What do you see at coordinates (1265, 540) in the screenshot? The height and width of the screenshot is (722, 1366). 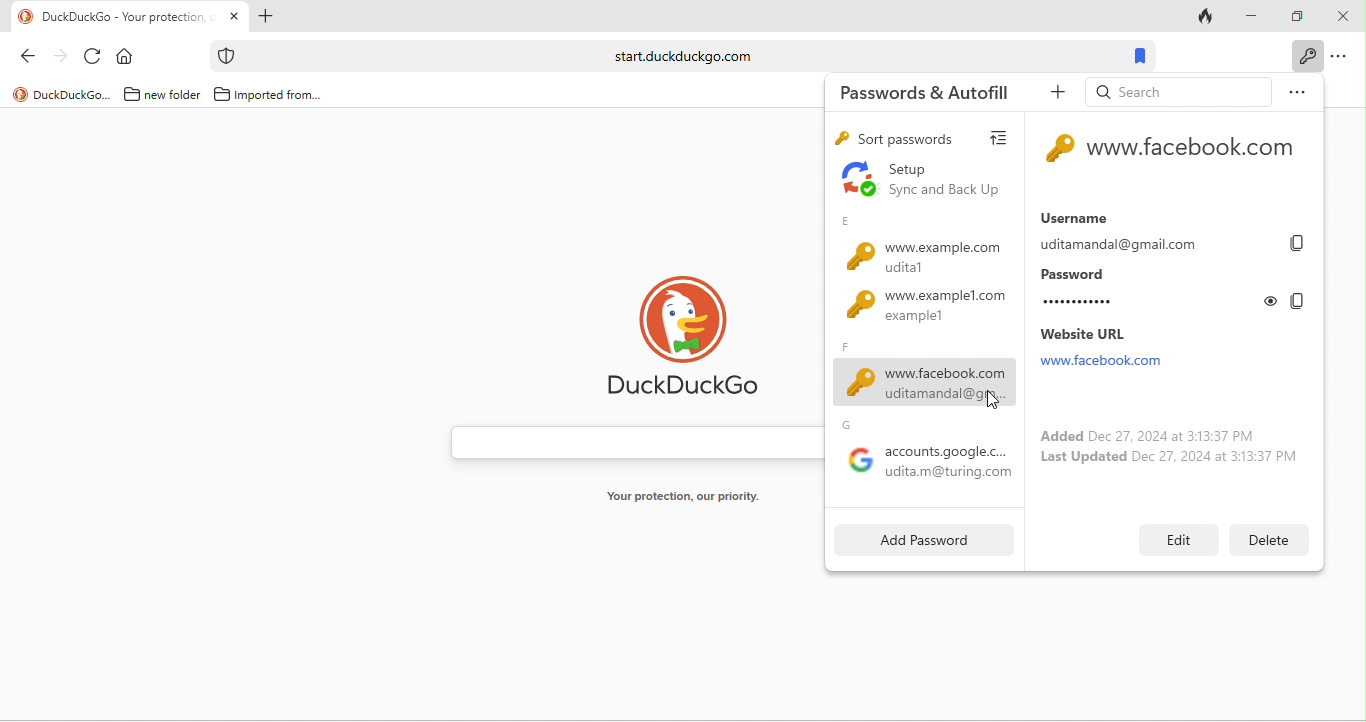 I see `delete` at bounding box center [1265, 540].